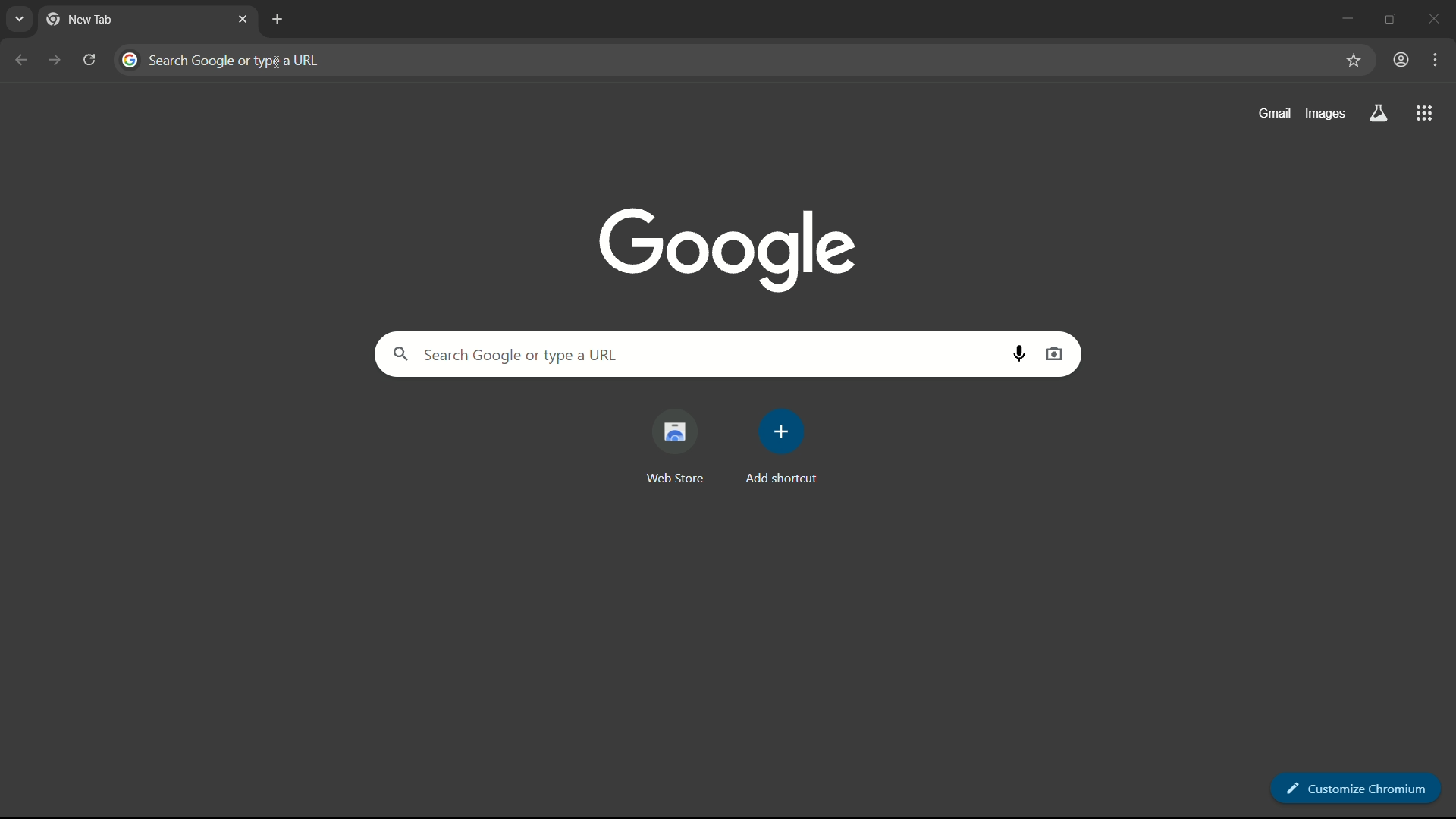  What do you see at coordinates (80, 19) in the screenshot?
I see `new tab` at bounding box center [80, 19].